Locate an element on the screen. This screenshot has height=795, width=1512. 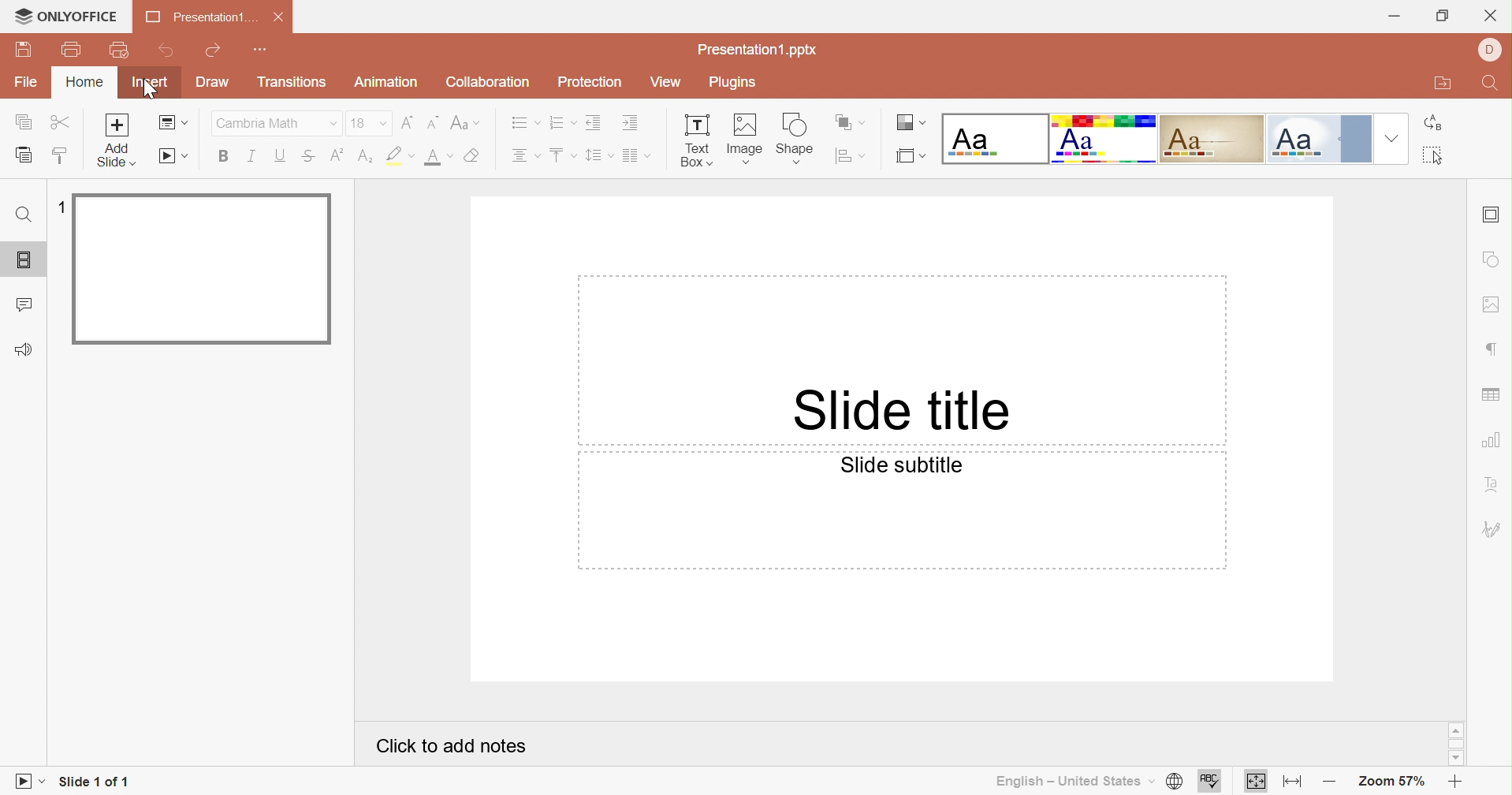
Quick print is located at coordinates (121, 50).